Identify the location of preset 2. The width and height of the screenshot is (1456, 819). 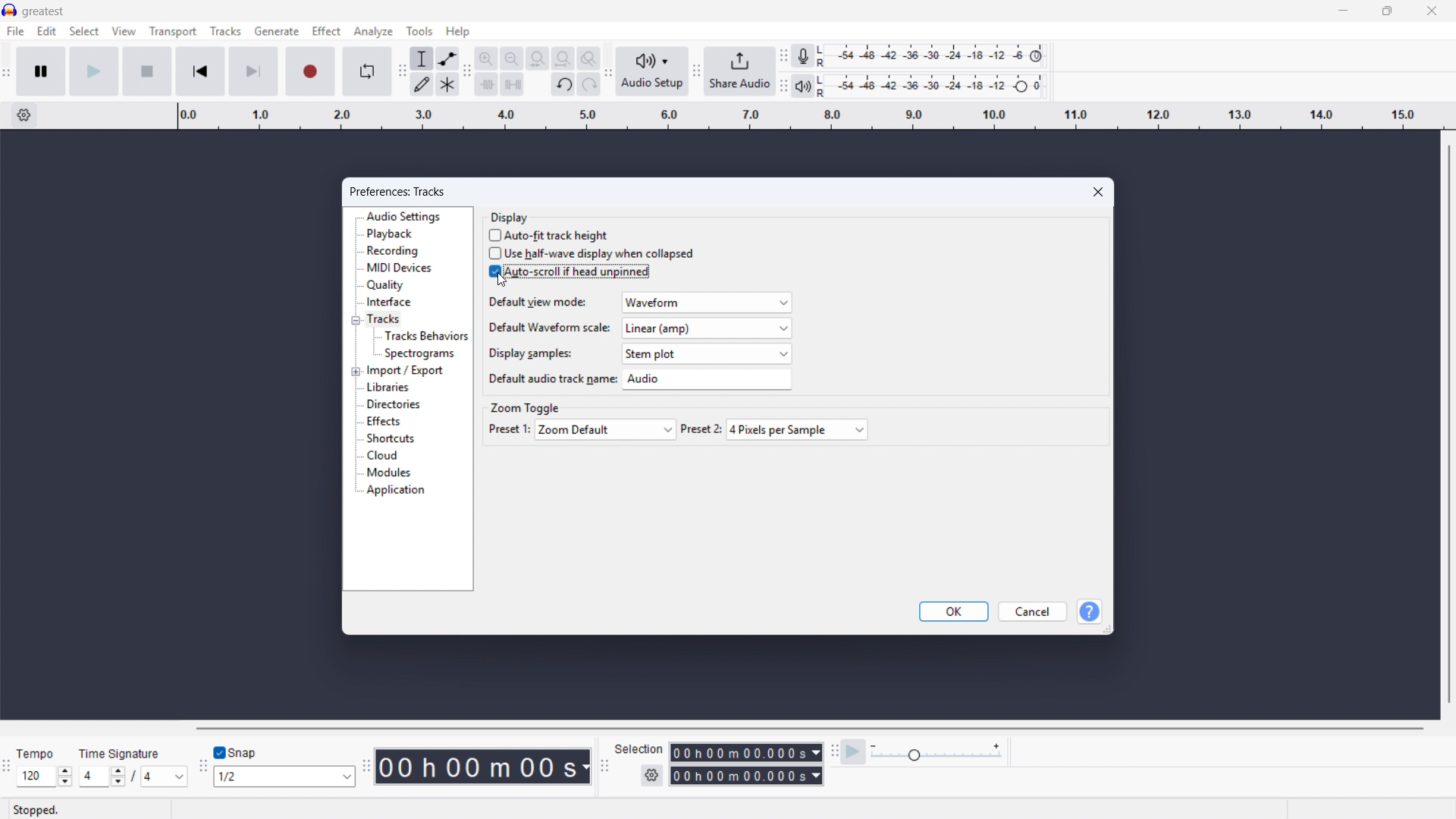
(703, 428).